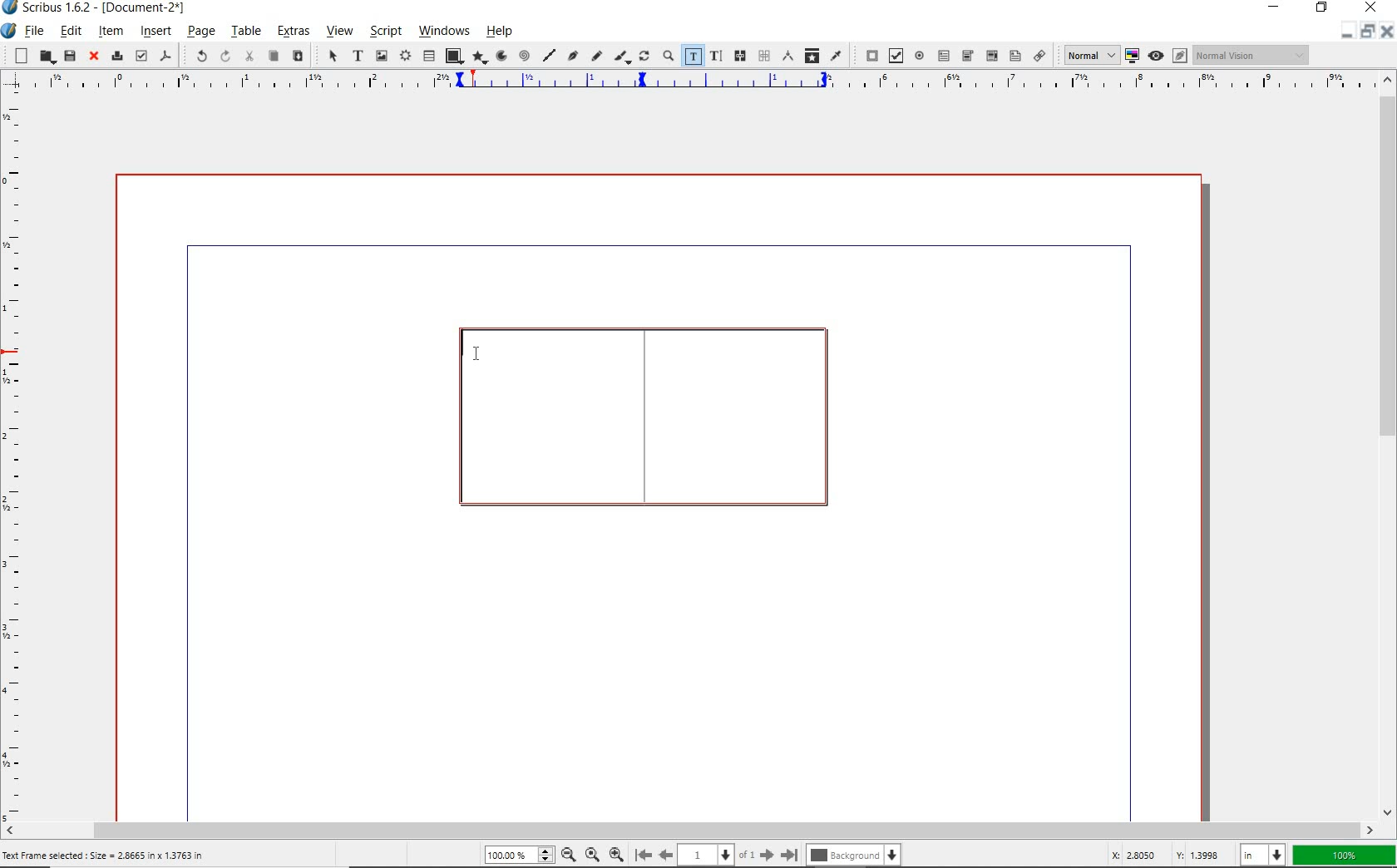  I want to click on spiral, so click(524, 55).